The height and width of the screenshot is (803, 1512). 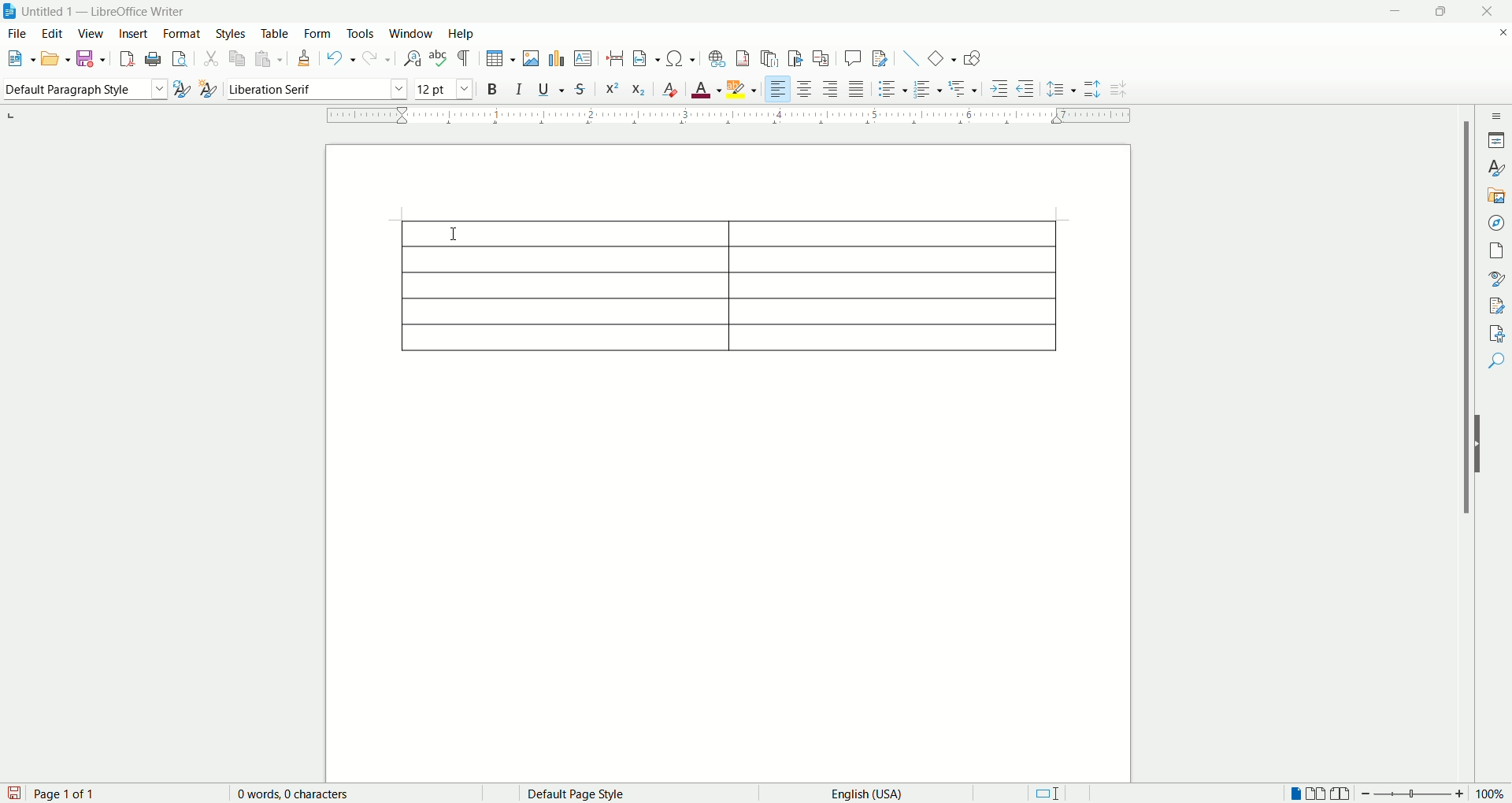 I want to click on navigator, so click(x=1496, y=223).